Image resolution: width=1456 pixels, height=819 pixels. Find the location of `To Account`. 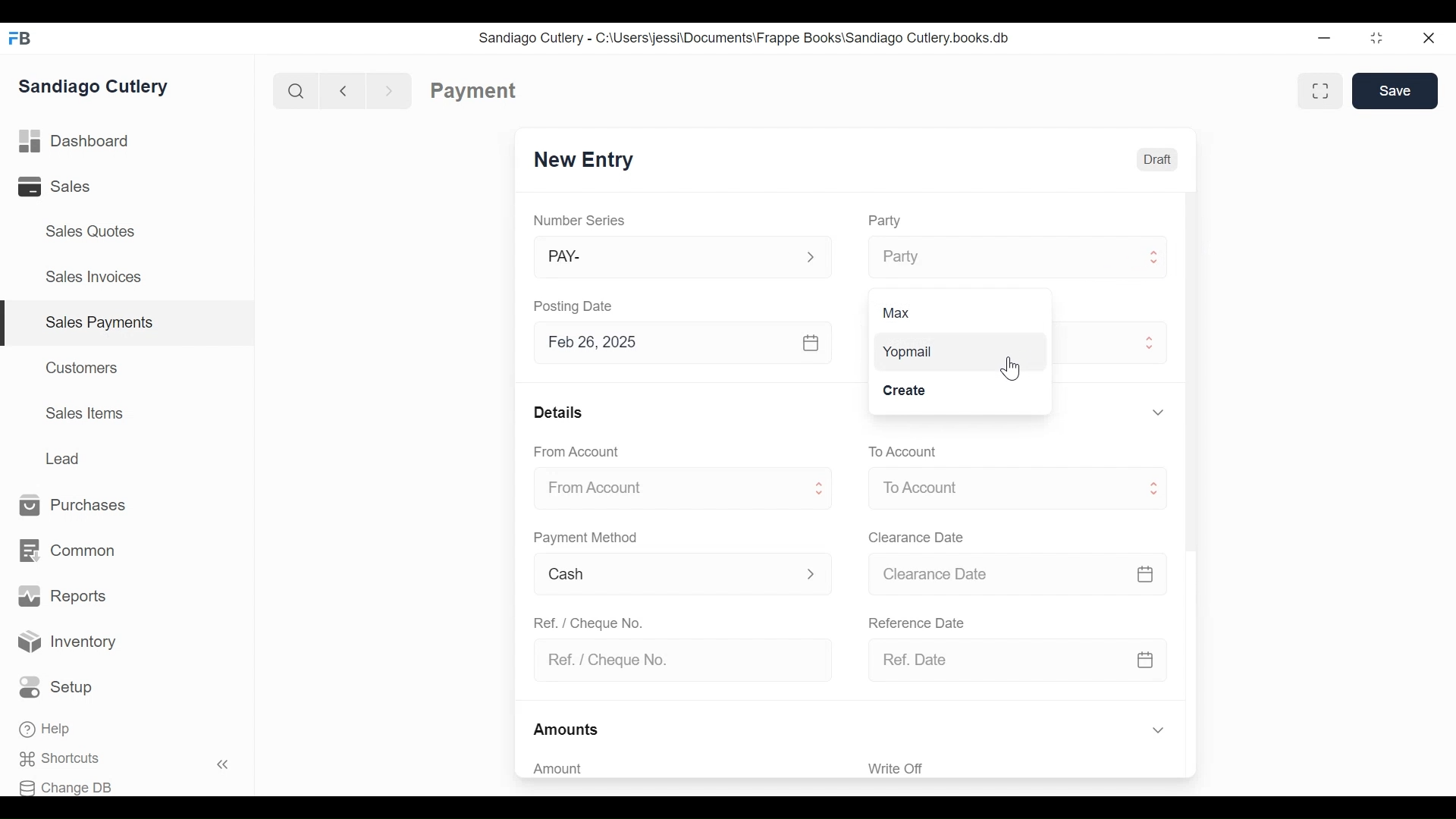

To Account is located at coordinates (999, 488).